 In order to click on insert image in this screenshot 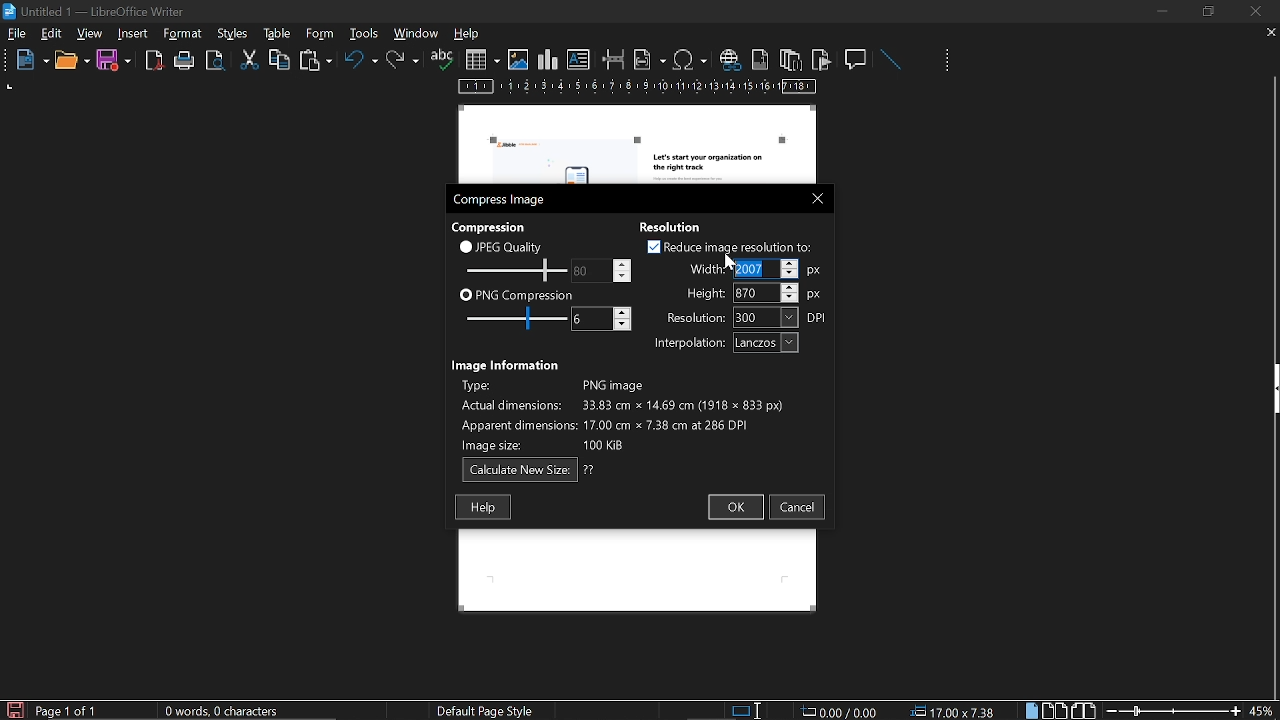, I will do `click(518, 60)`.